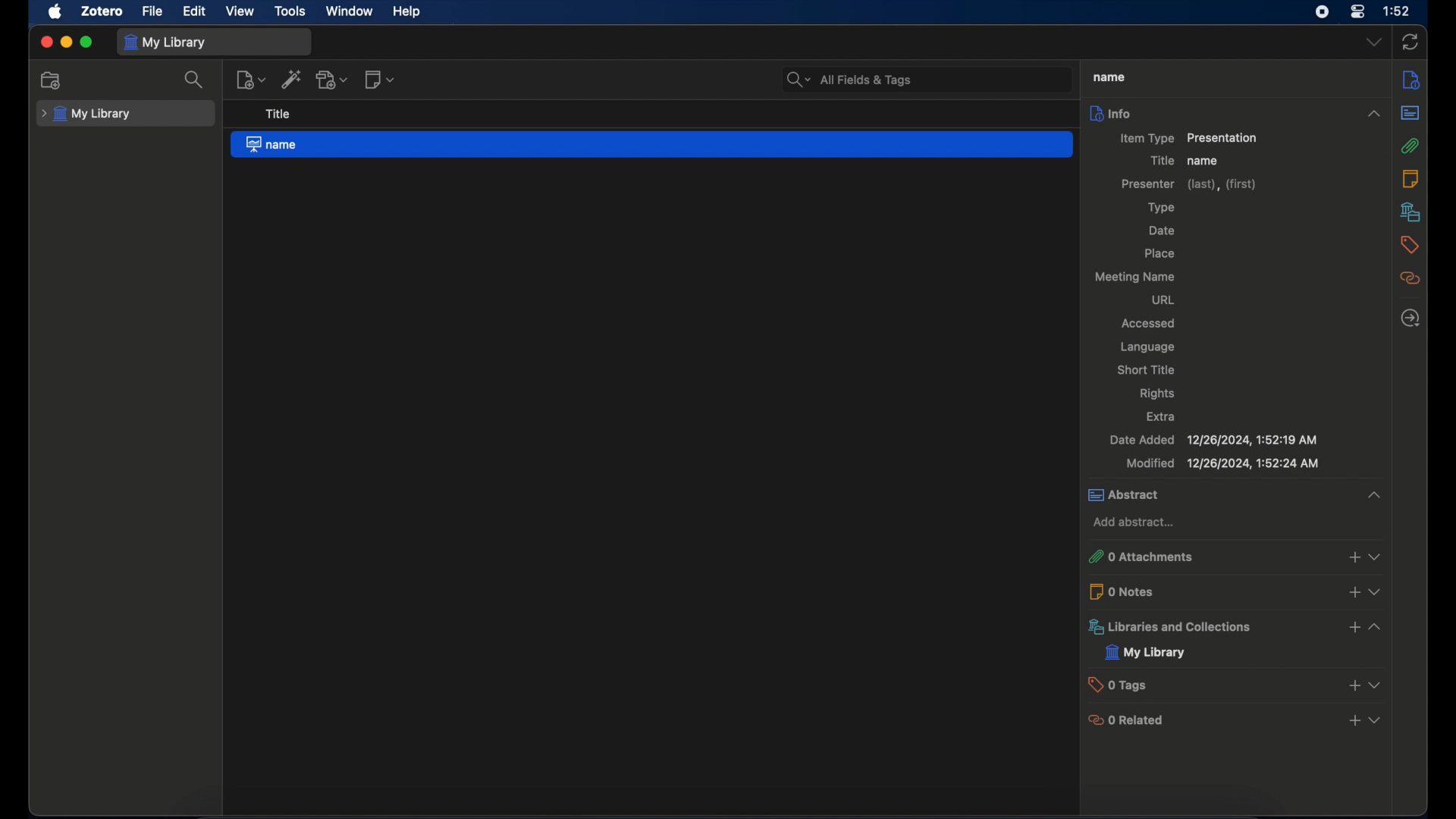 The image size is (1456, 819). I want to click on window, so click(350, 11).